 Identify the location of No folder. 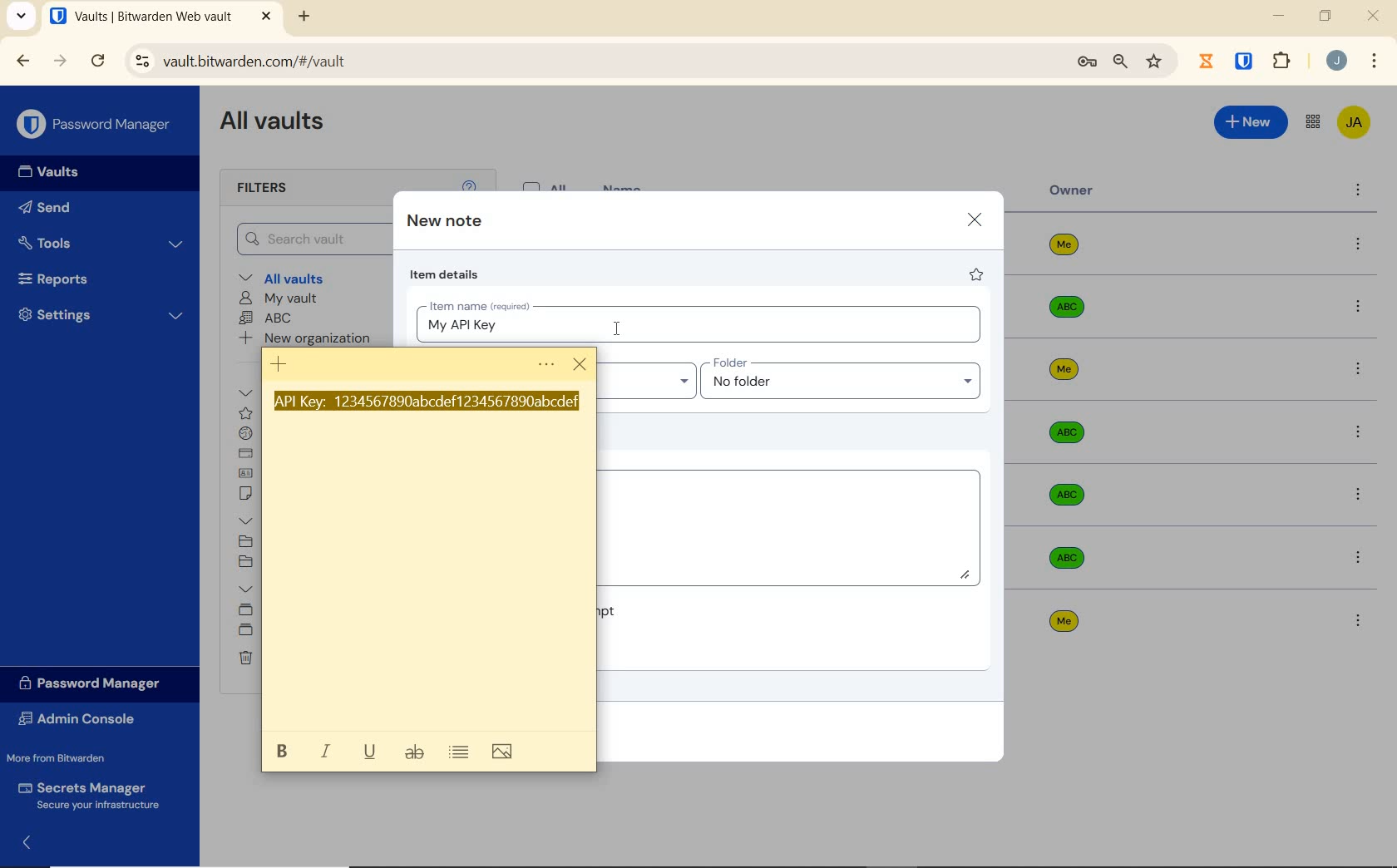
(244, 562).